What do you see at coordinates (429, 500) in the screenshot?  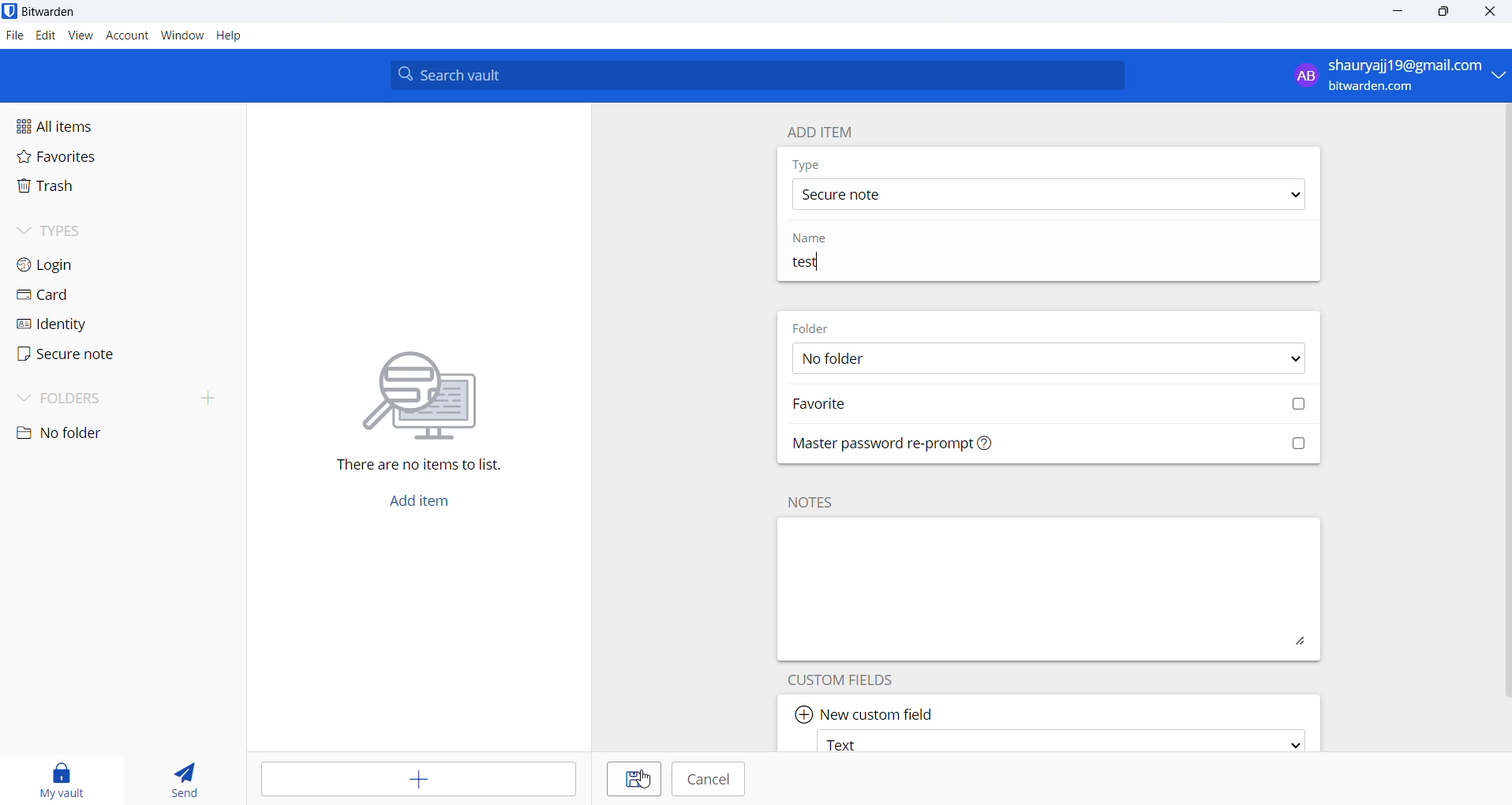 I see `add item` at bounding box center [429, 500].